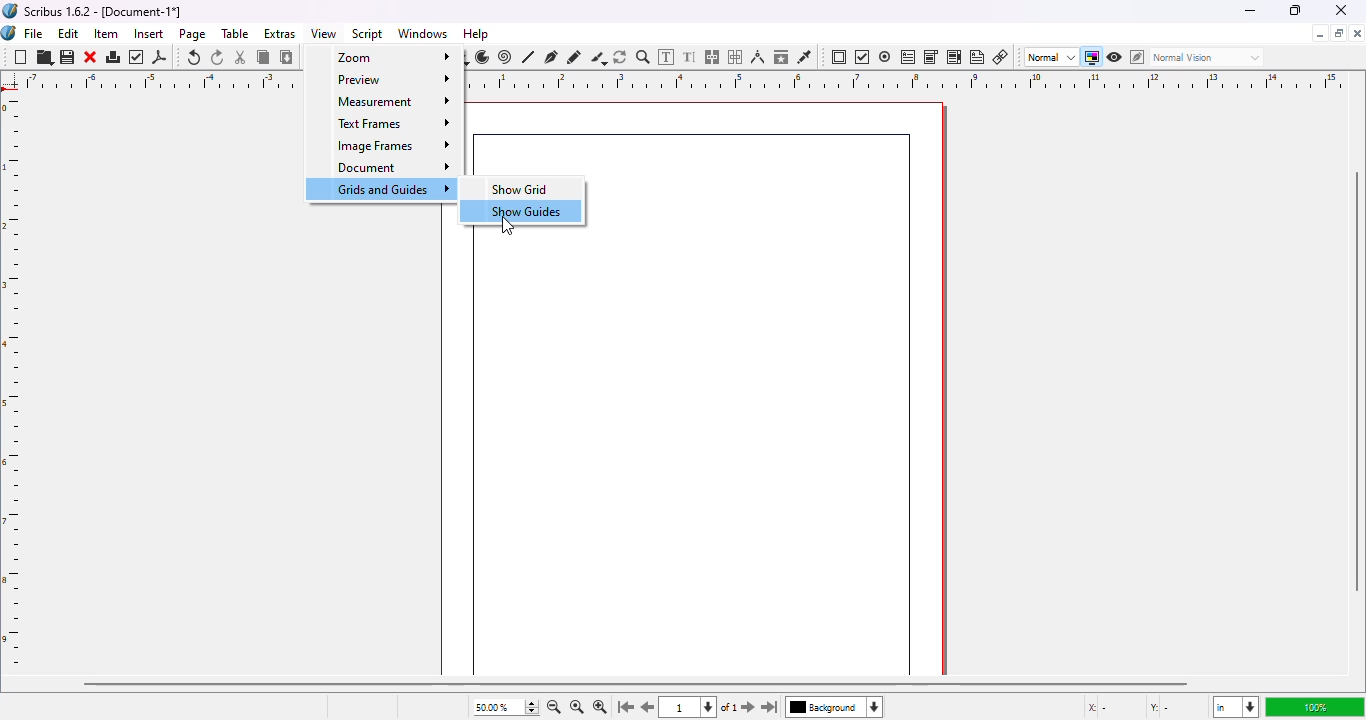 The width and height of the screenshot is (1366, 720). What do you see at coordinates (781, 56) in the screenshot?
I see `copy item properties` at bounding box center [781, 56].